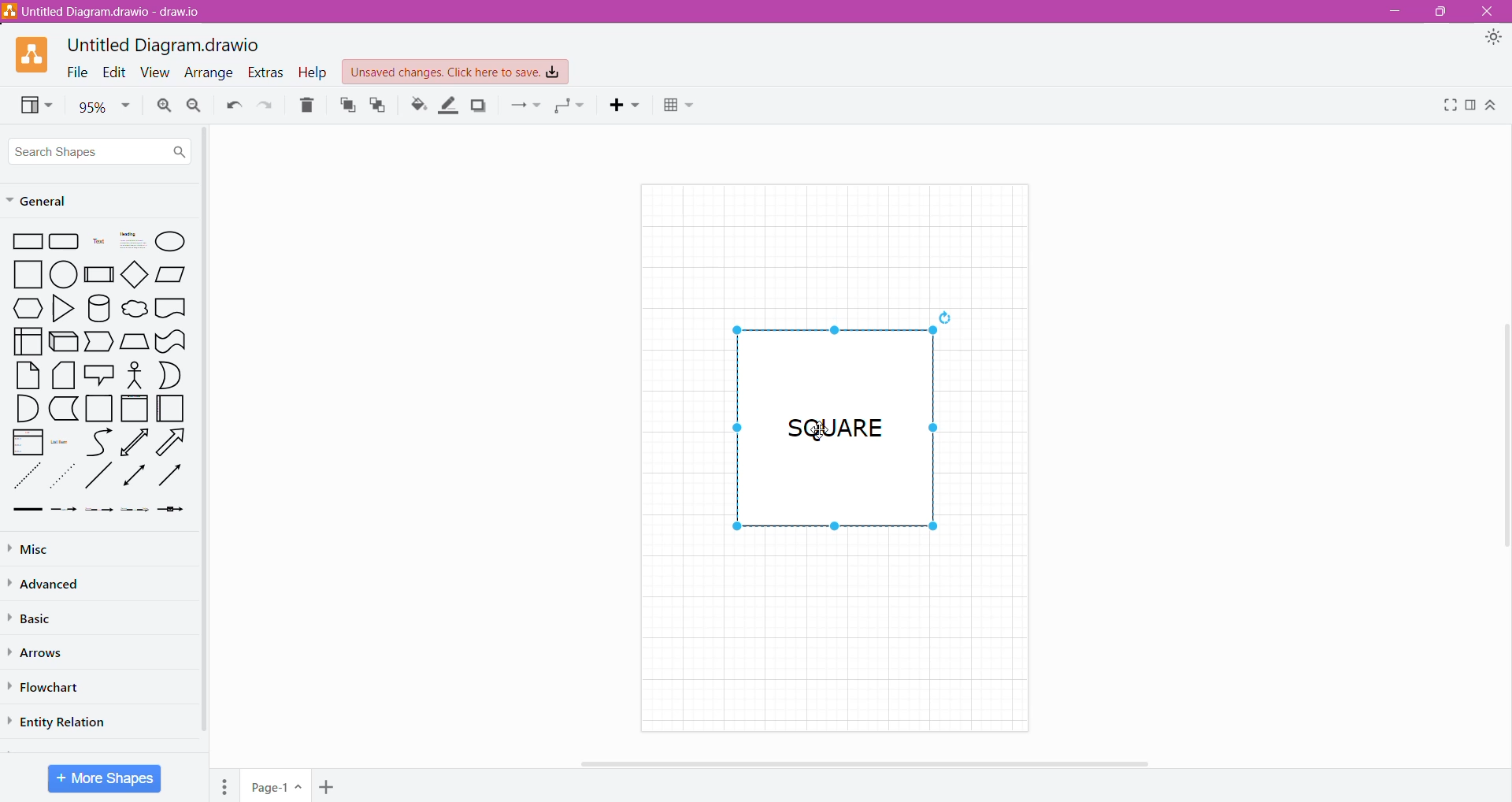 Image resolution: width=1512 pixels, height=802 pixels. I want to click on Appearance, so click(1492, 39).